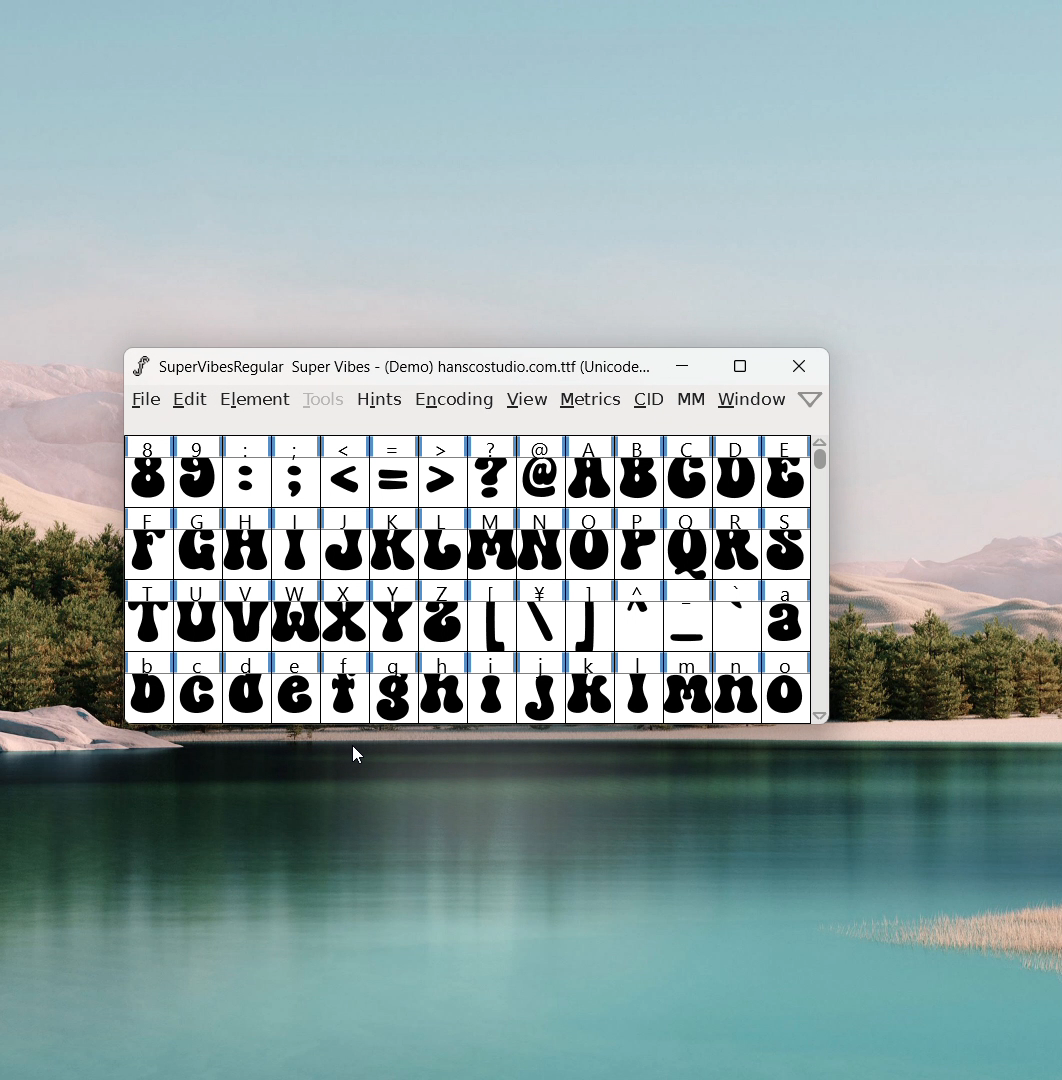  What do you see at coordinates (147, 470) in the screenshot?
I see `8` at bounding box center [147, 470].